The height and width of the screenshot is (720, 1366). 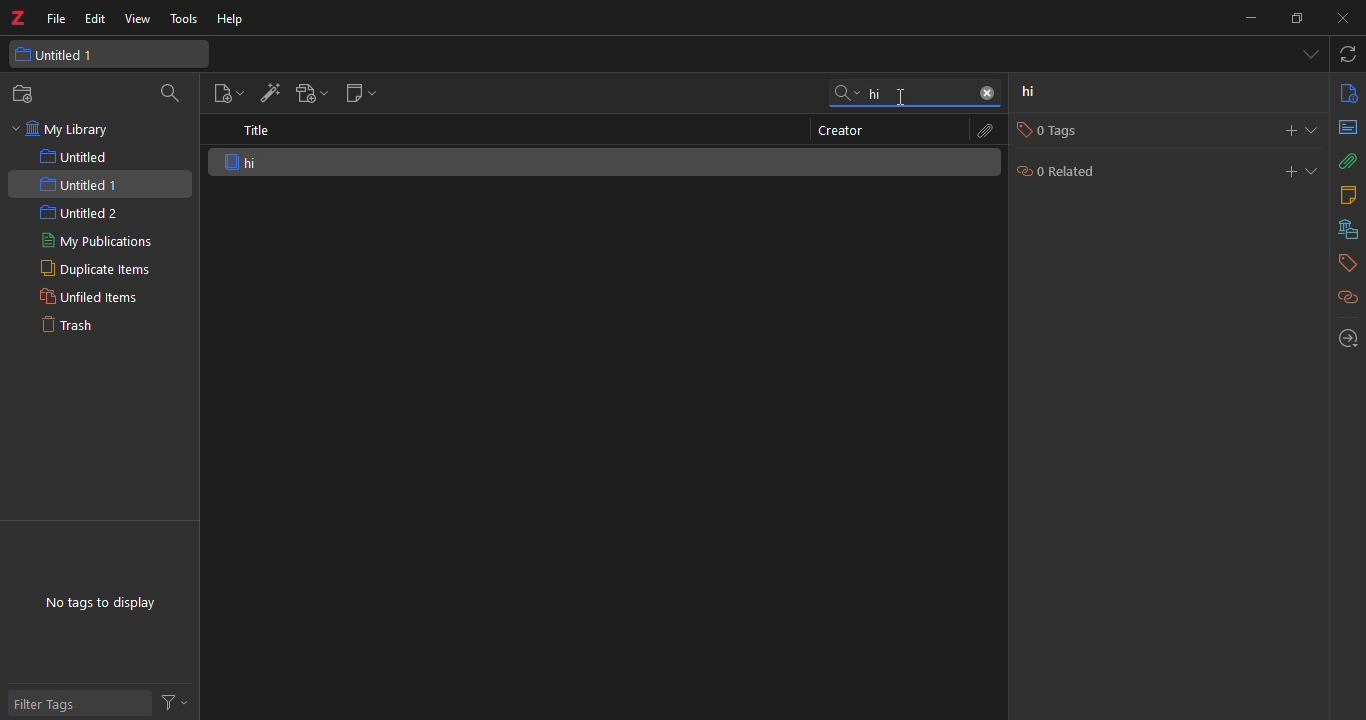 What do you see at coordinates (1344, 338) in the screenshot?
I see `locate` at bounding box center [1344, 338].